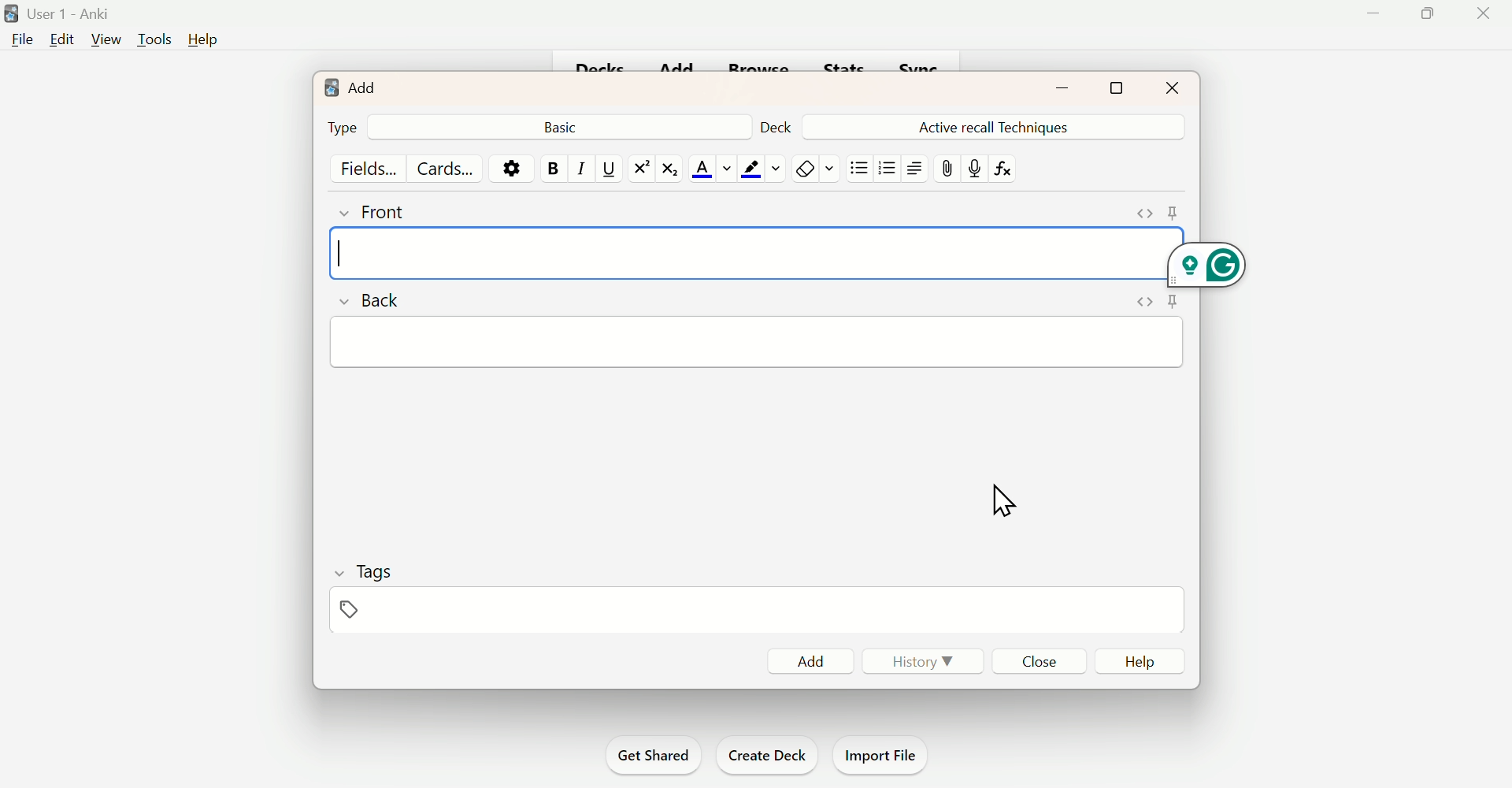 This screenshot has height=788, width=1512. I want to click on Close, so click(1169, 86).